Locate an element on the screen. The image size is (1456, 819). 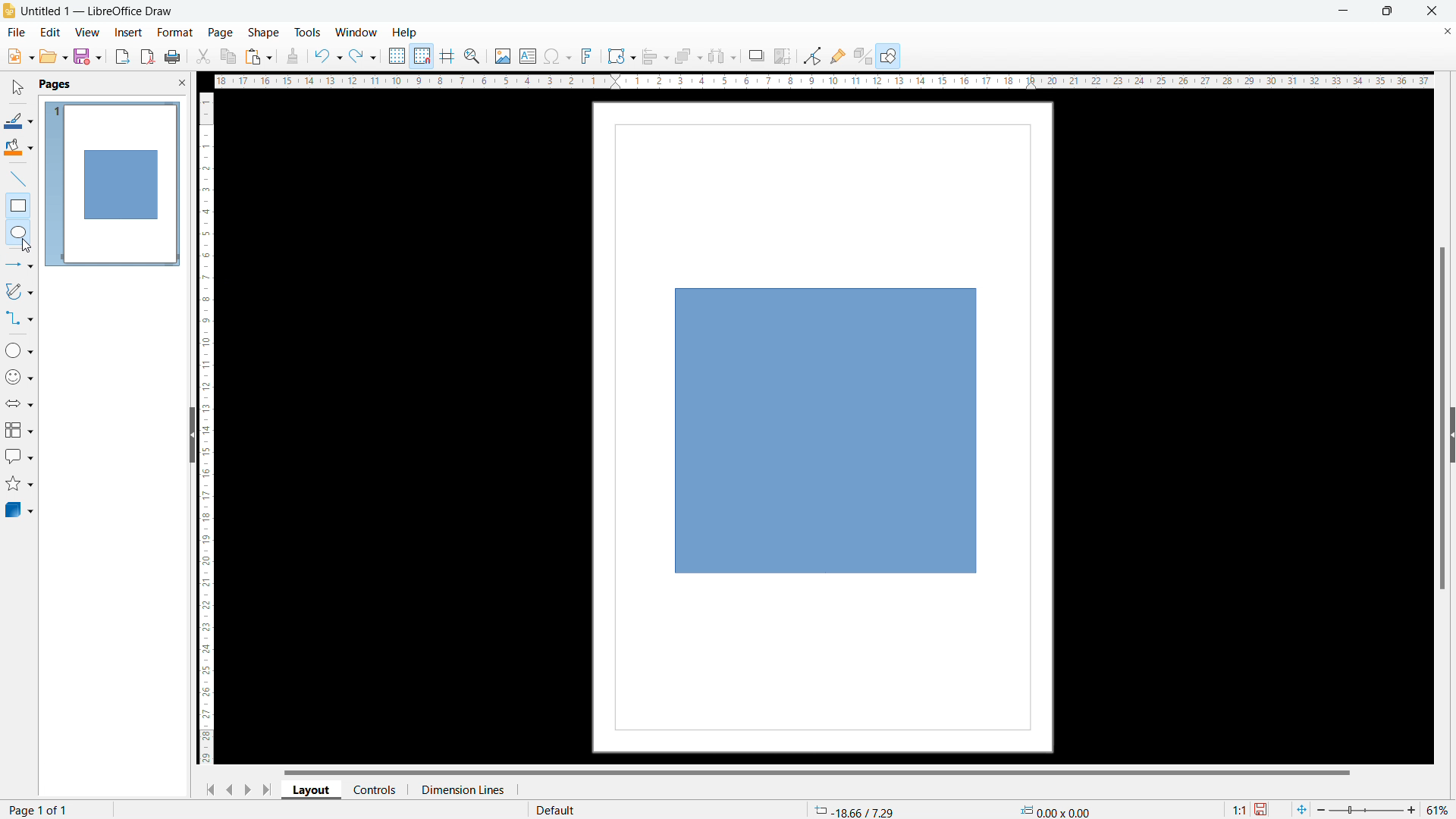
display grid is located at coordinates (396, 56).